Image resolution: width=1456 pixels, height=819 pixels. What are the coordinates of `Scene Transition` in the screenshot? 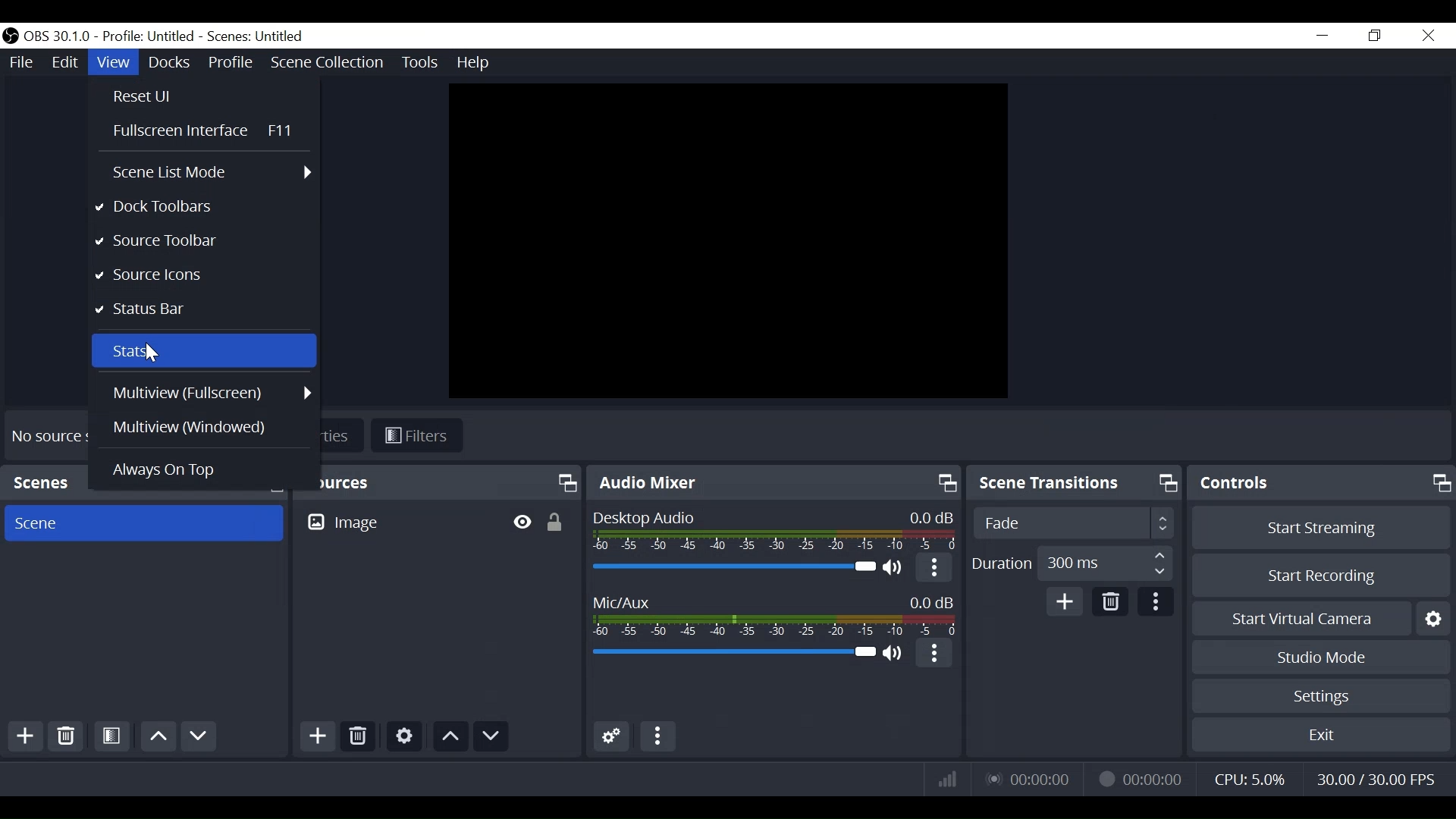 It's located at (1075, 483).